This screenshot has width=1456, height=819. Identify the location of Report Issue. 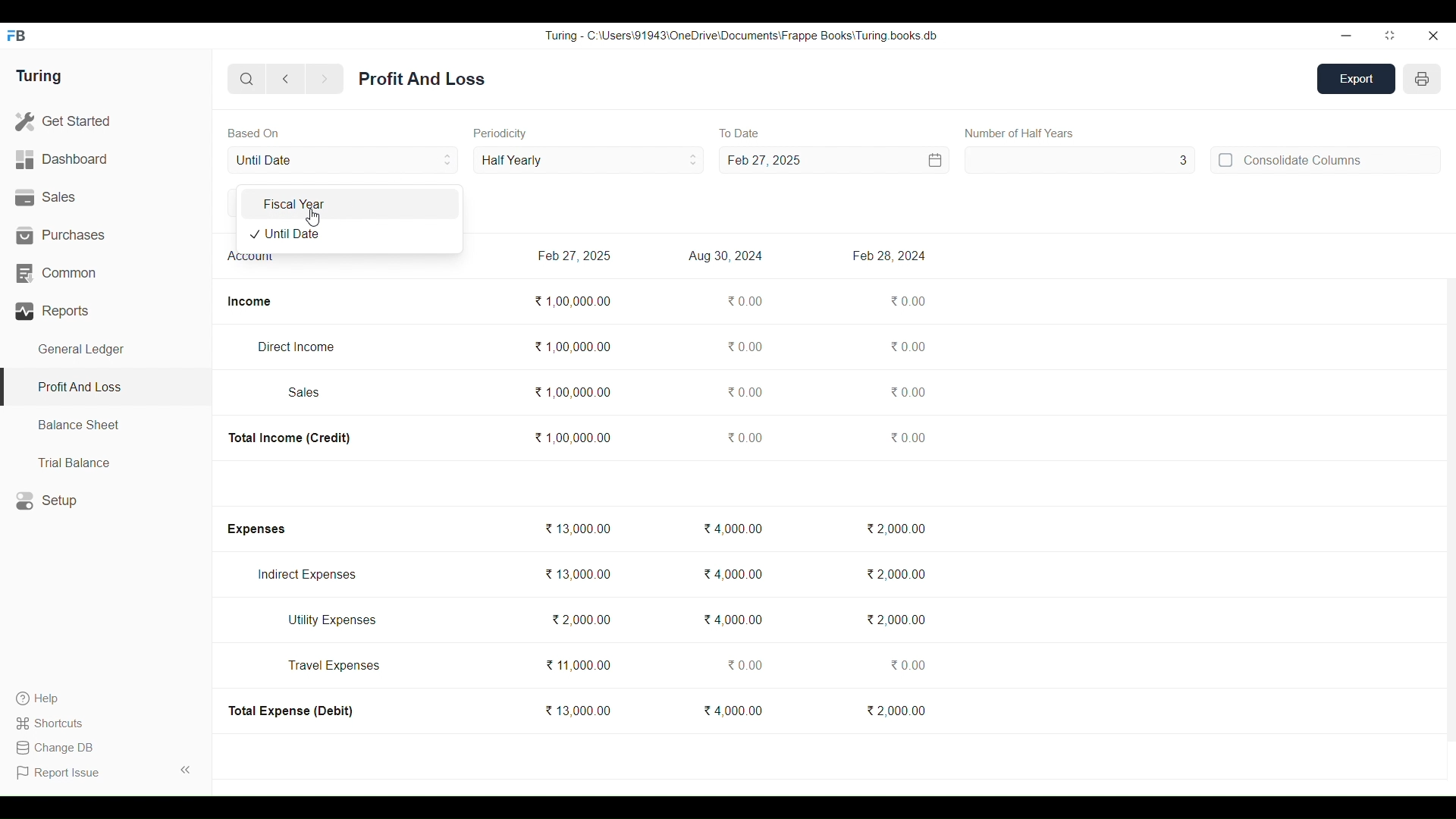
(61, 773).